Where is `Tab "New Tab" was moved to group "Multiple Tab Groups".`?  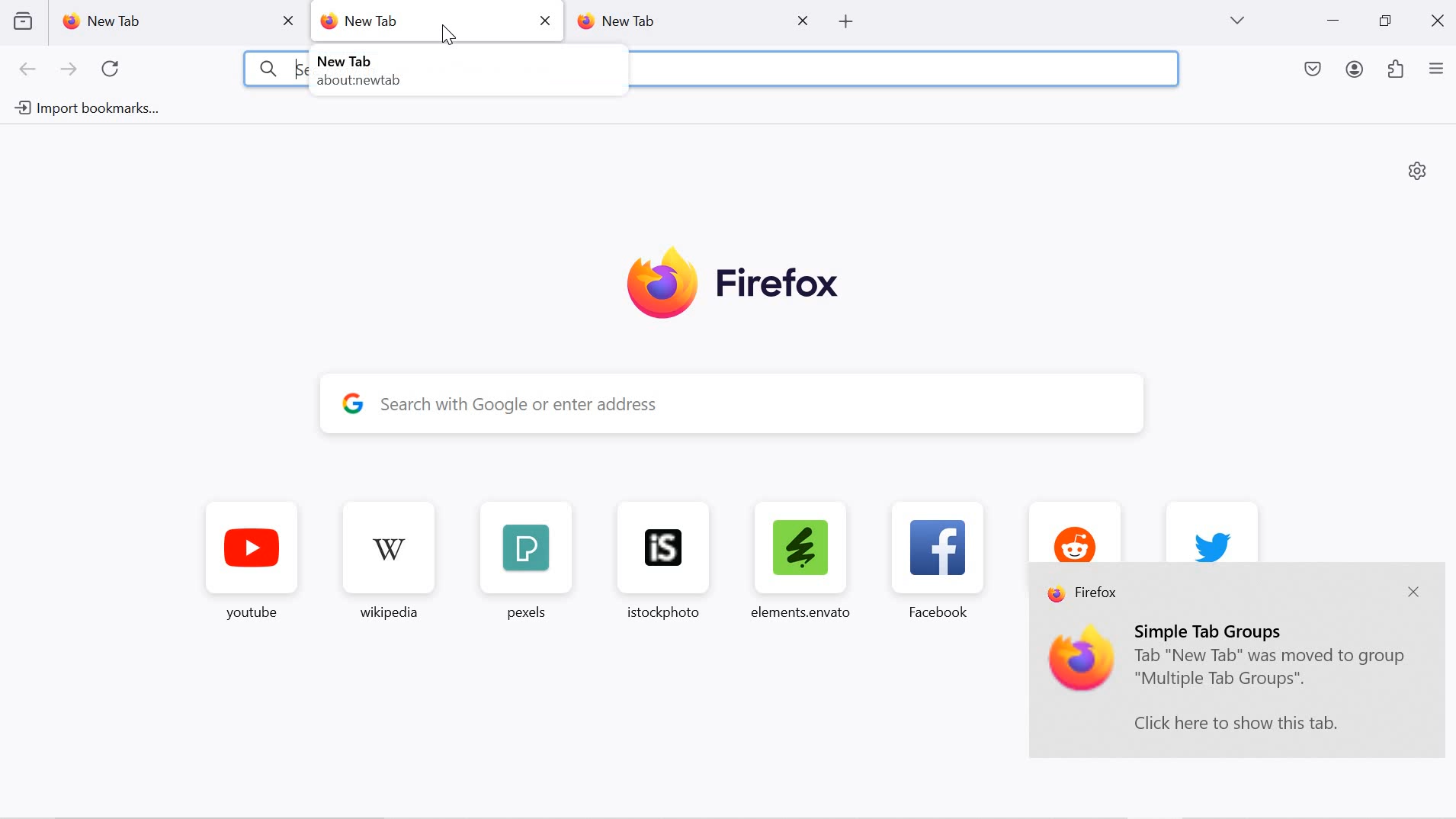
Tab "New Tab" was moved to group "Multiple Tab Groups". is located at coordinates (1272, 670).